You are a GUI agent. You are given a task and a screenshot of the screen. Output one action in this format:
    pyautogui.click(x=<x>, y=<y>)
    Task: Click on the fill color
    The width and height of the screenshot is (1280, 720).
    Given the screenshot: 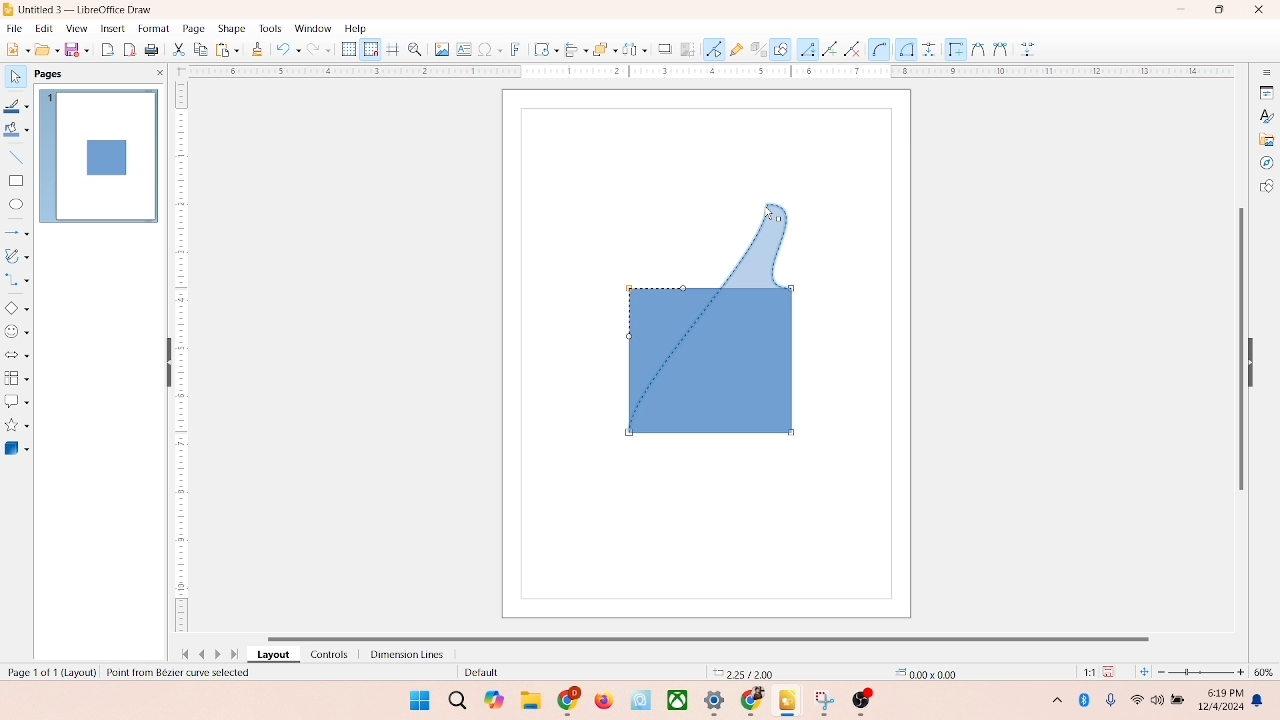 What is the action you would take?
    pyautogui.click(x=16, y=133)
    